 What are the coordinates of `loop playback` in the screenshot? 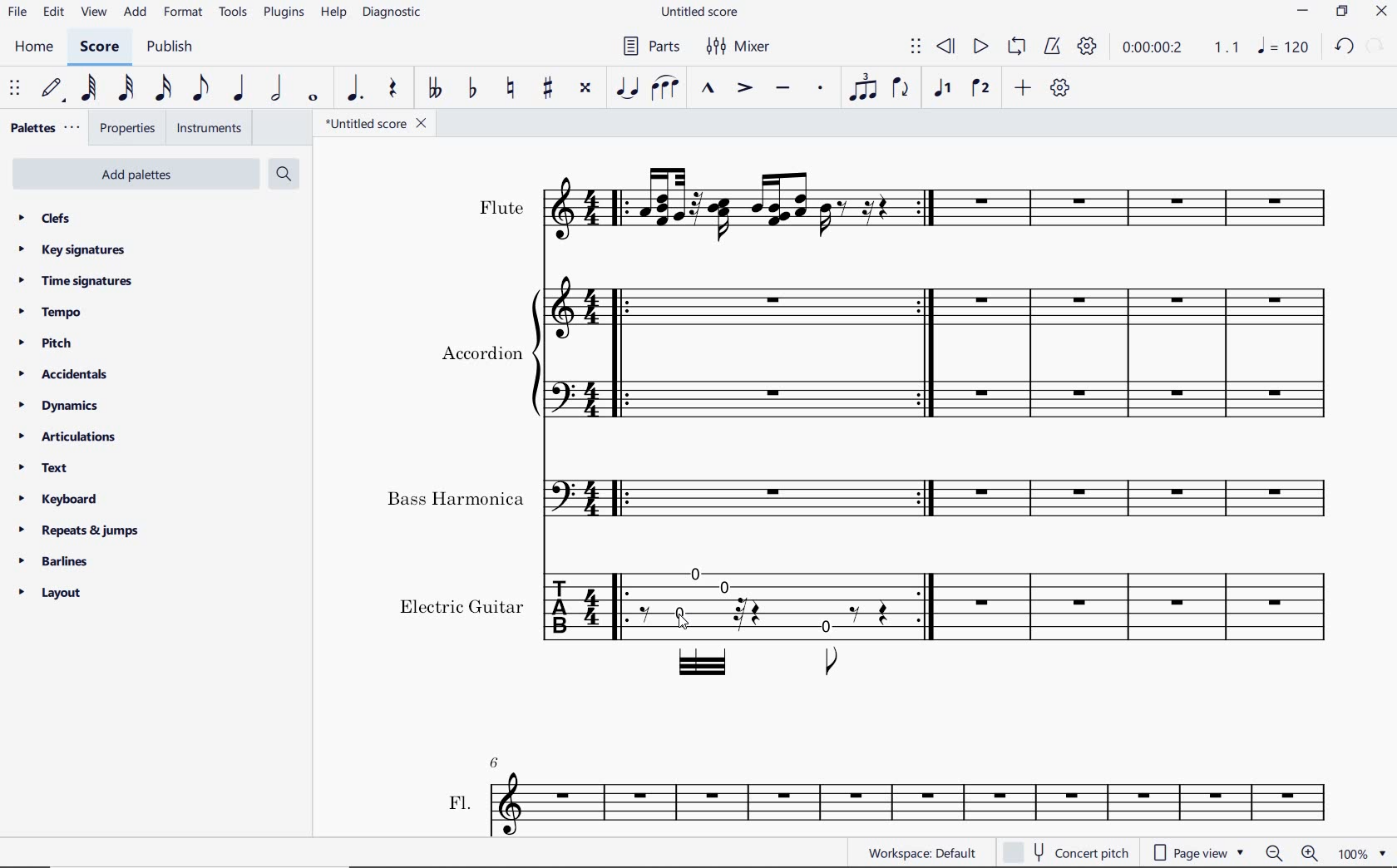 It's located at (1016, 47).